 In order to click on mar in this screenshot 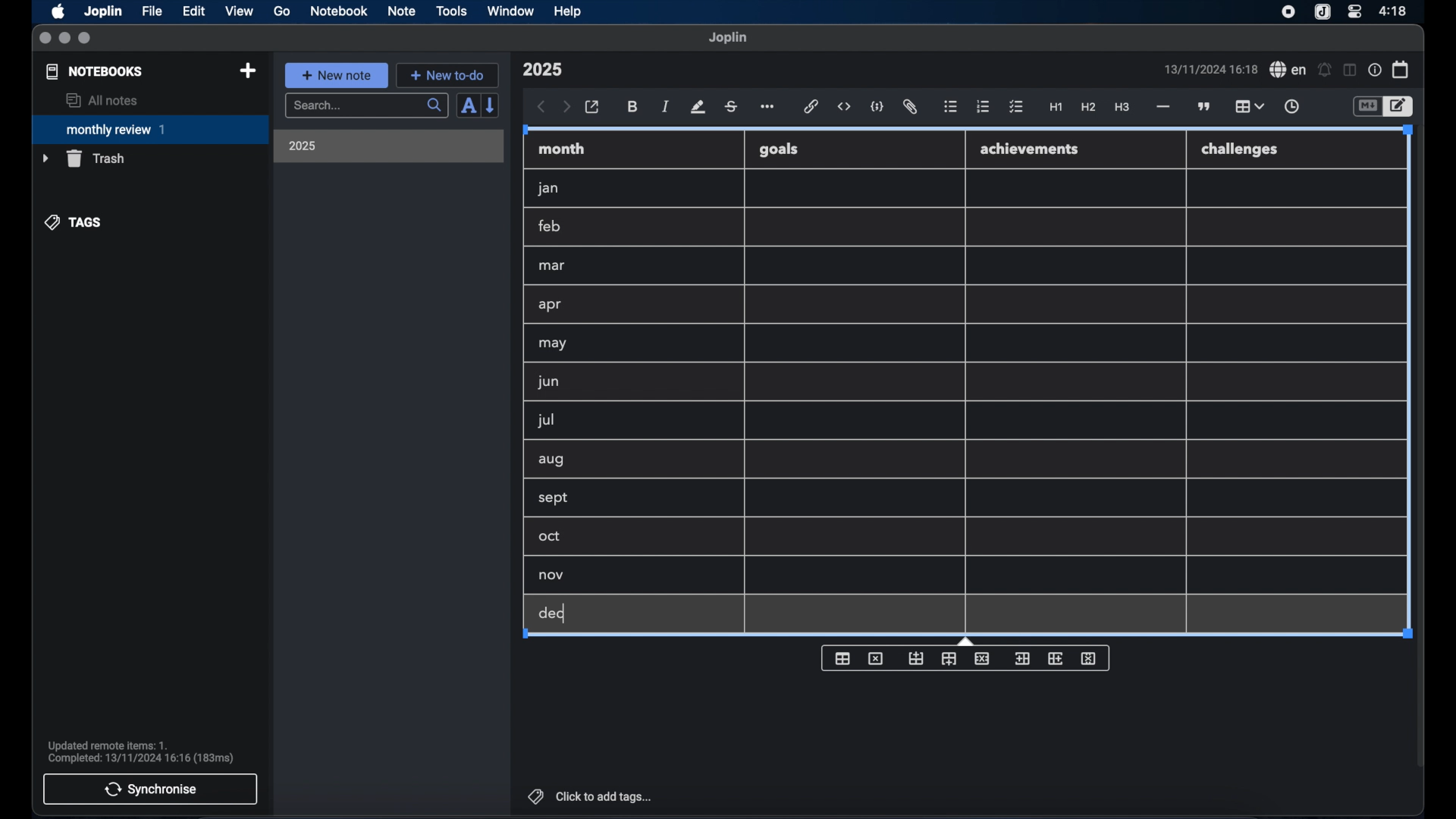, I will do `click(553, 266)`.